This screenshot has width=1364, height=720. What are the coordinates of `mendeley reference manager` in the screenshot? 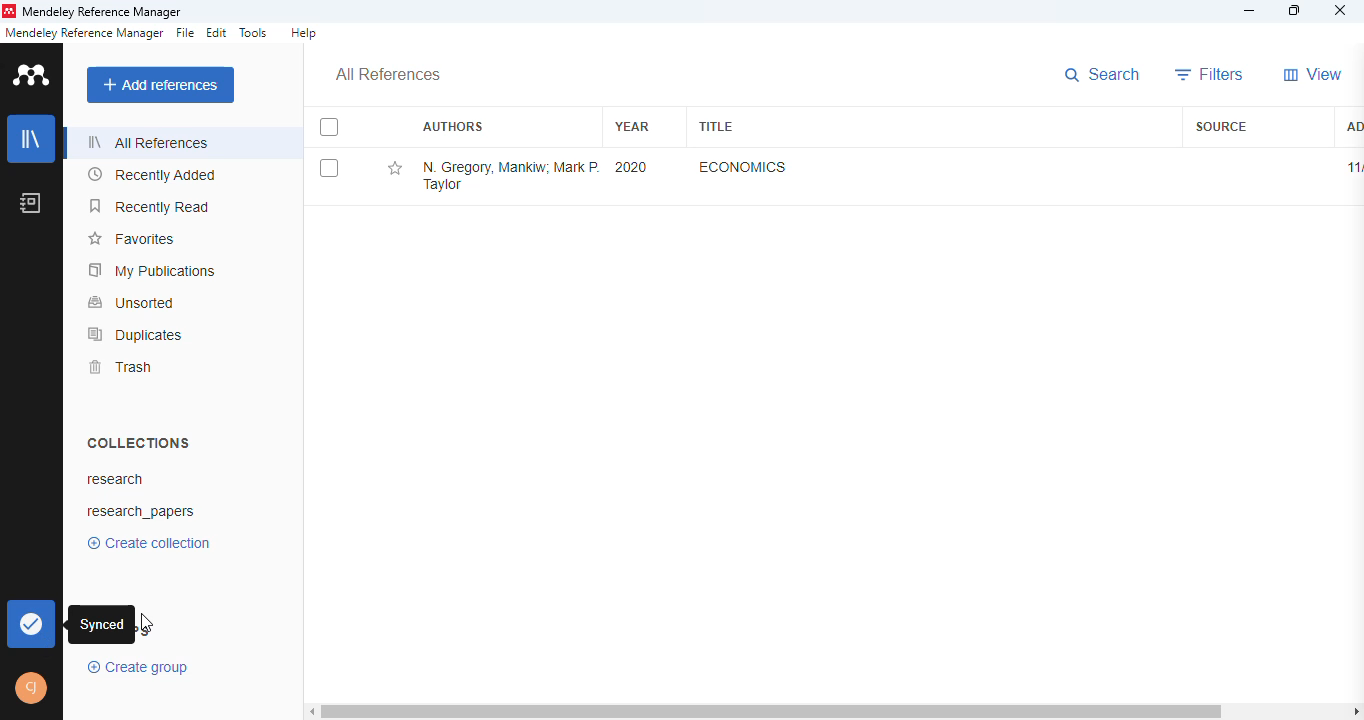 It's located at (103, 11).